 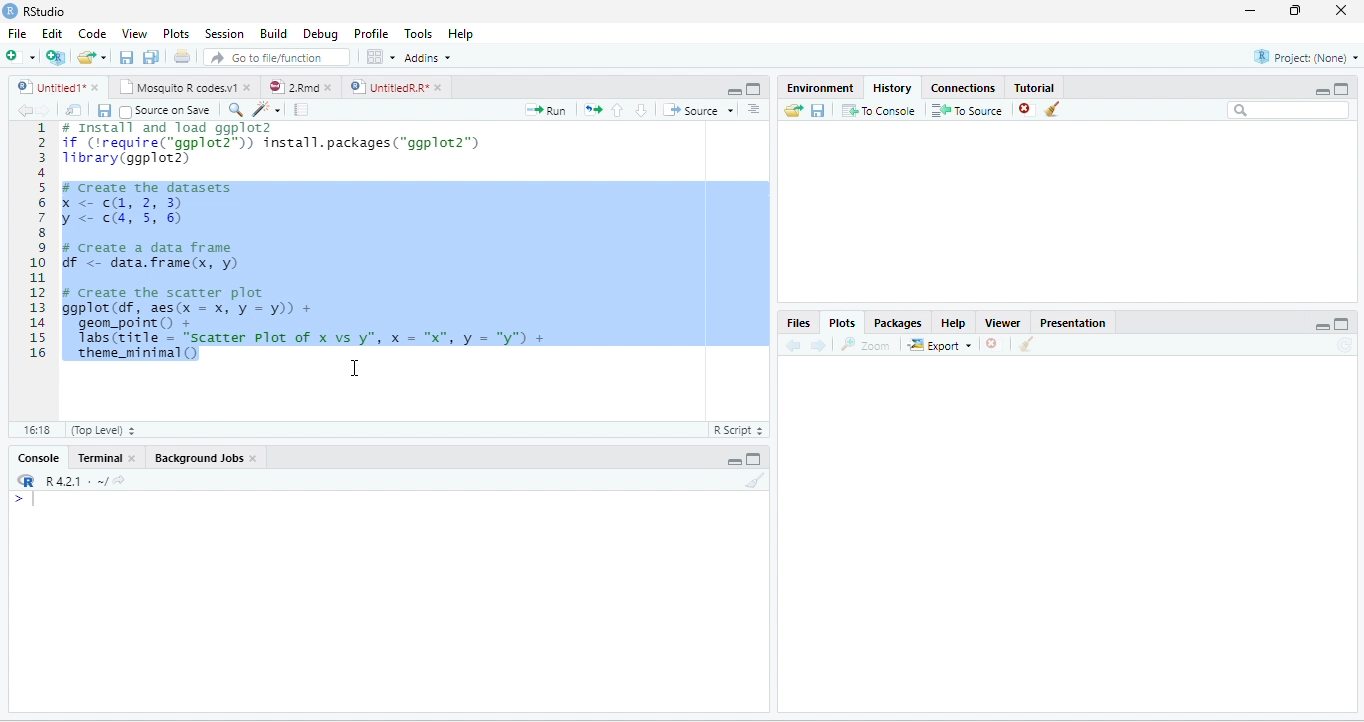 I want to click on Code, so click(x=91, y=33).